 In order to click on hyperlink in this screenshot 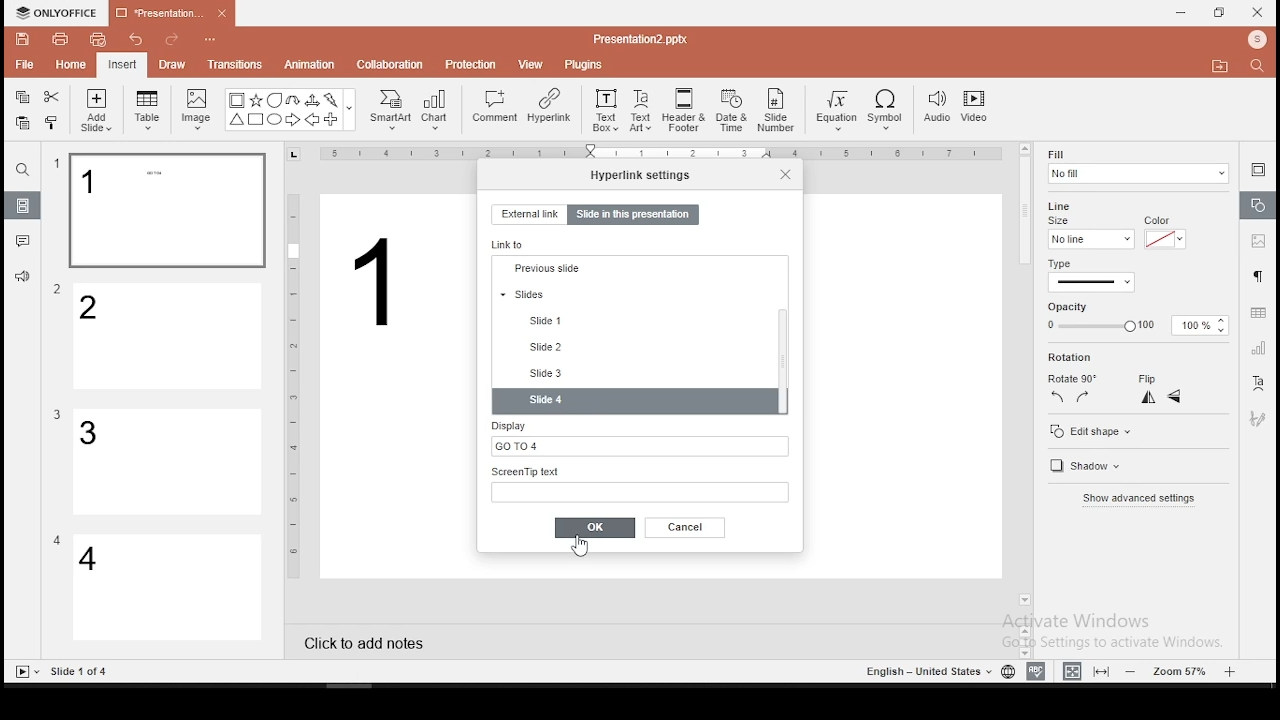, I will do `click(548, 105)`.